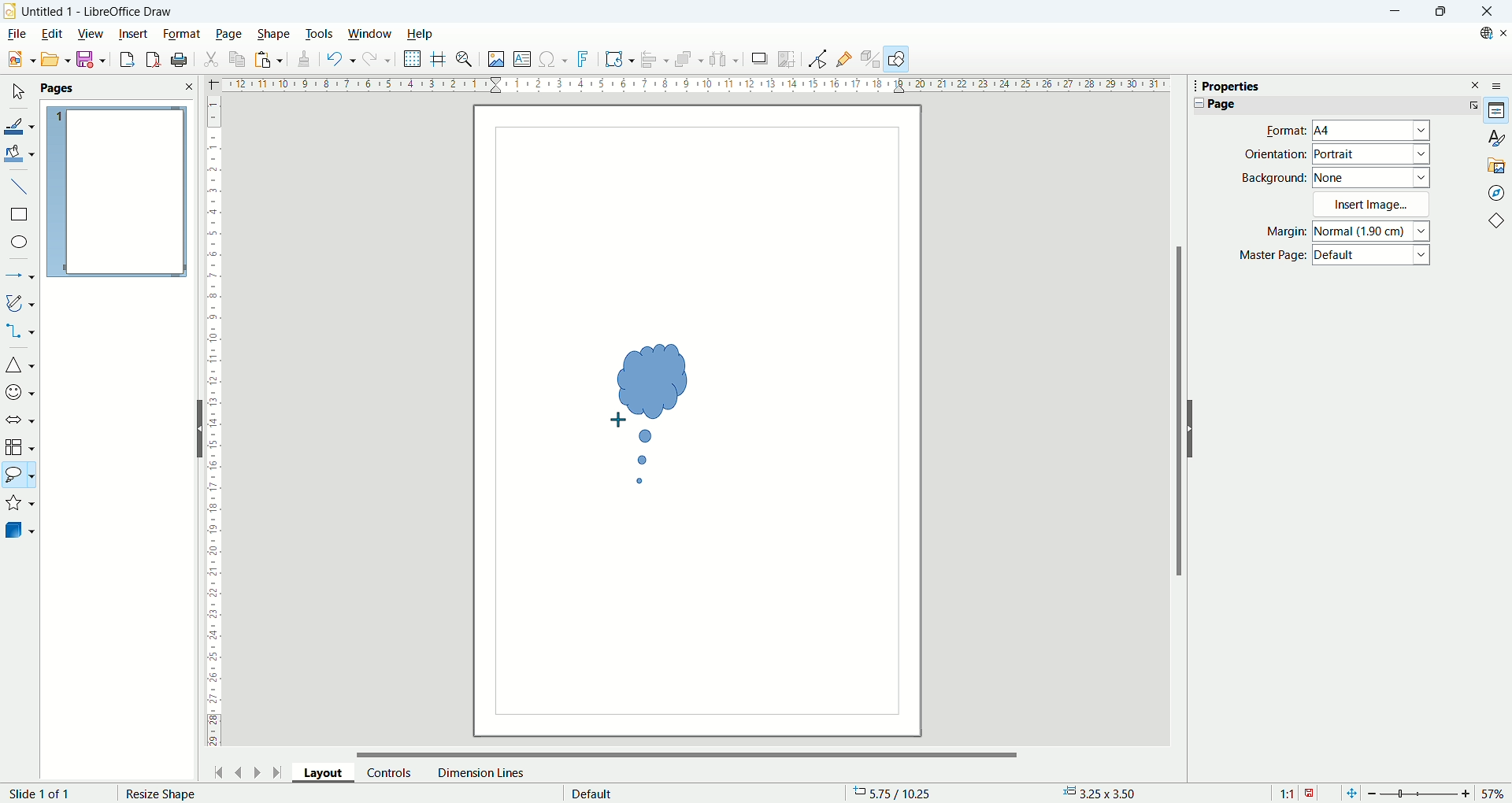 The height and width of the screenshot is (803, 1512). What do you see at coordinates (1373, 131) in the screenshot?
I see `A4` at bounding box center [1373, 131].